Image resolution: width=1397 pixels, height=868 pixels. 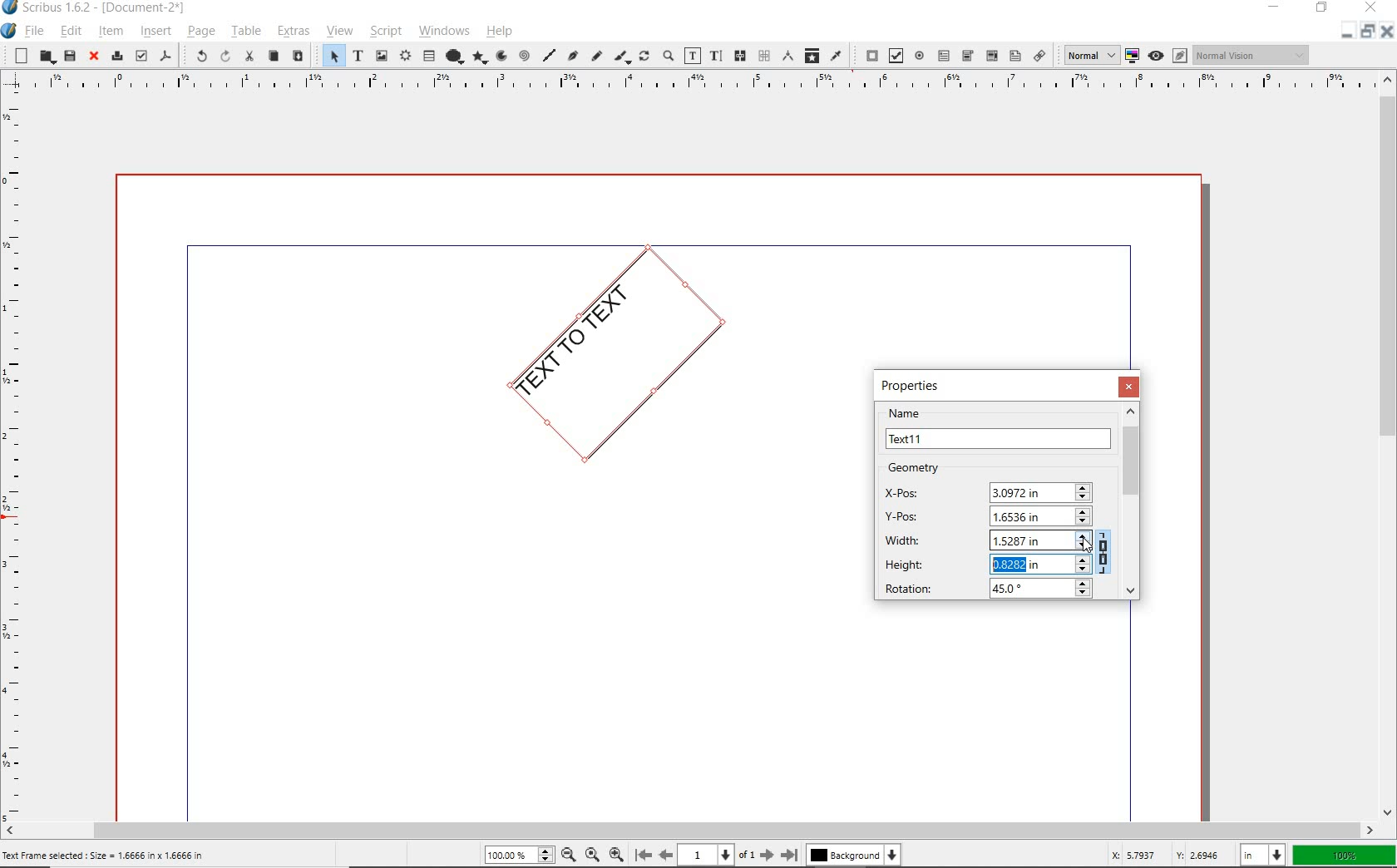 What do you see at coordinates (854, 856) in the screenshot?
I see `background` at bounding box center [854, 856].